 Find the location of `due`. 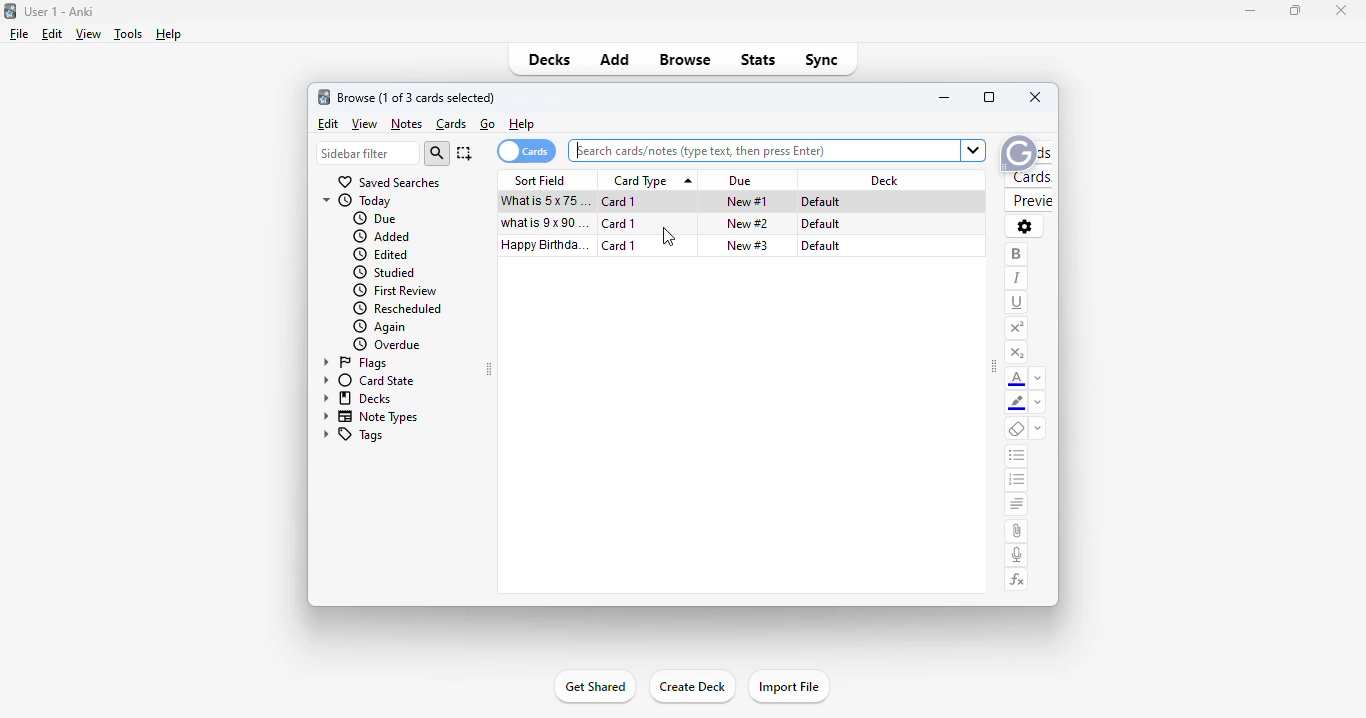

due is located at coordinates (739, 181).